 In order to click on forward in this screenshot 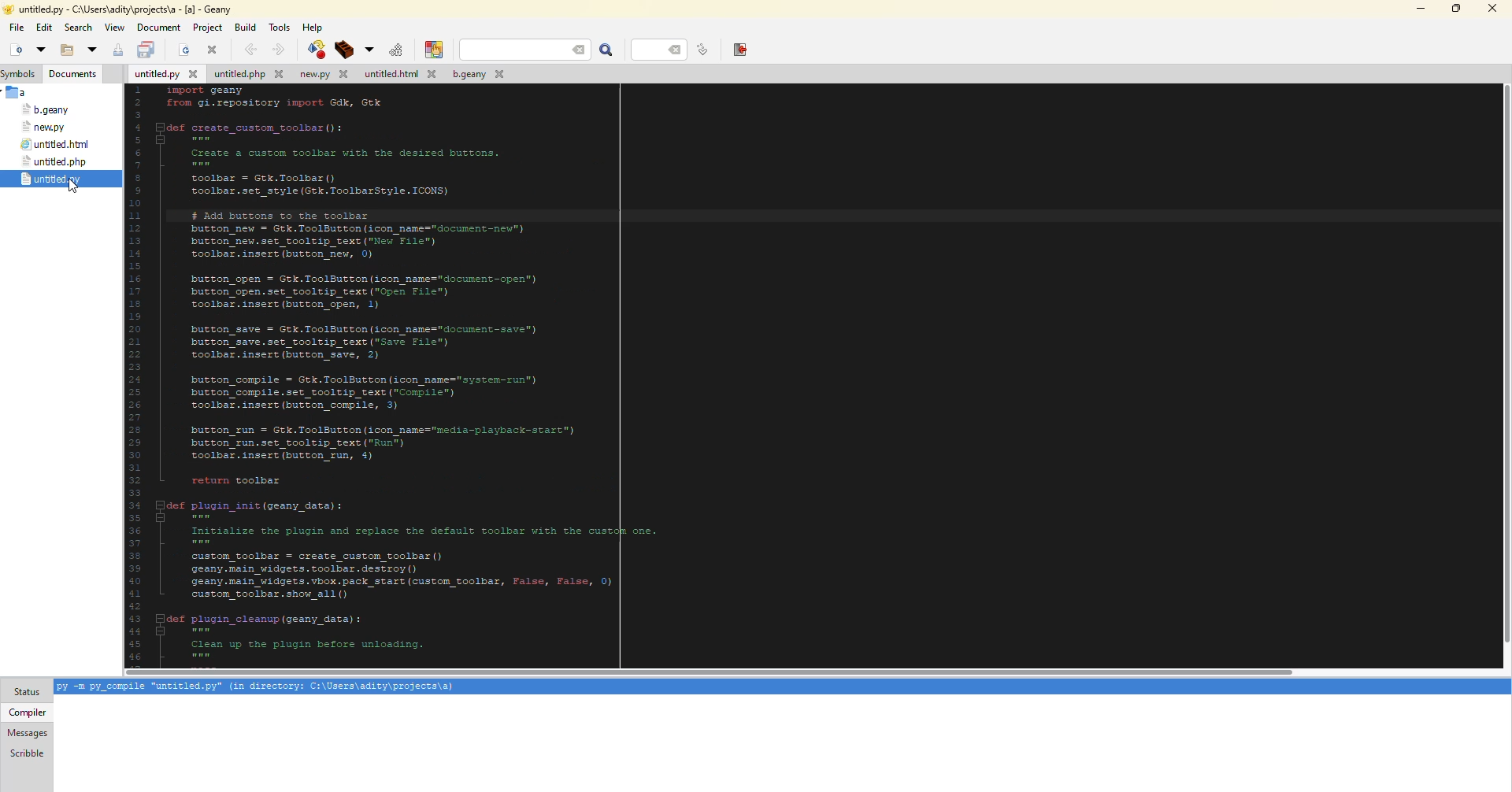, I will do `click(277, 49)`.